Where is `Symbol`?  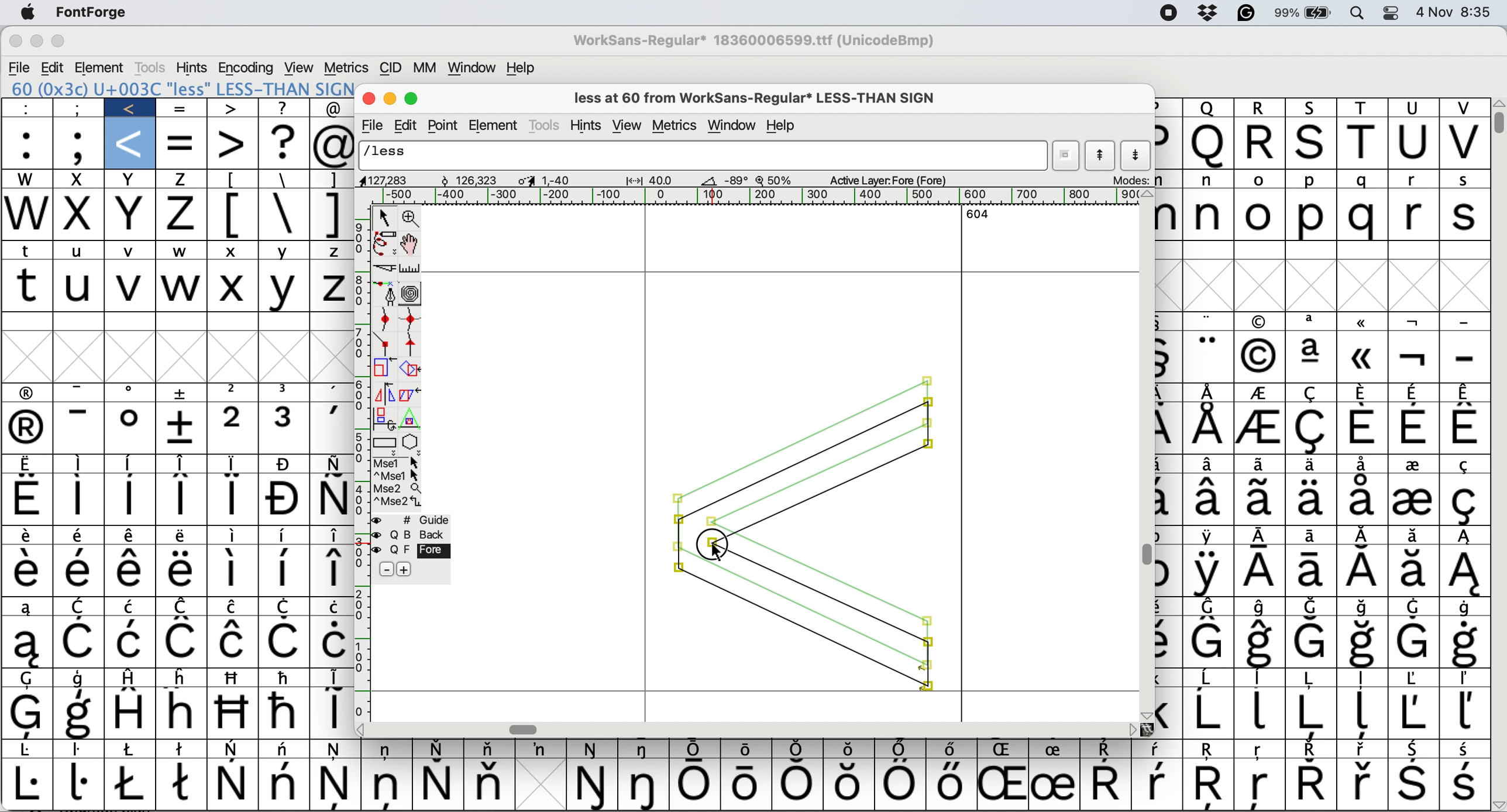
Symbol is located at coordinates (1363, 607).